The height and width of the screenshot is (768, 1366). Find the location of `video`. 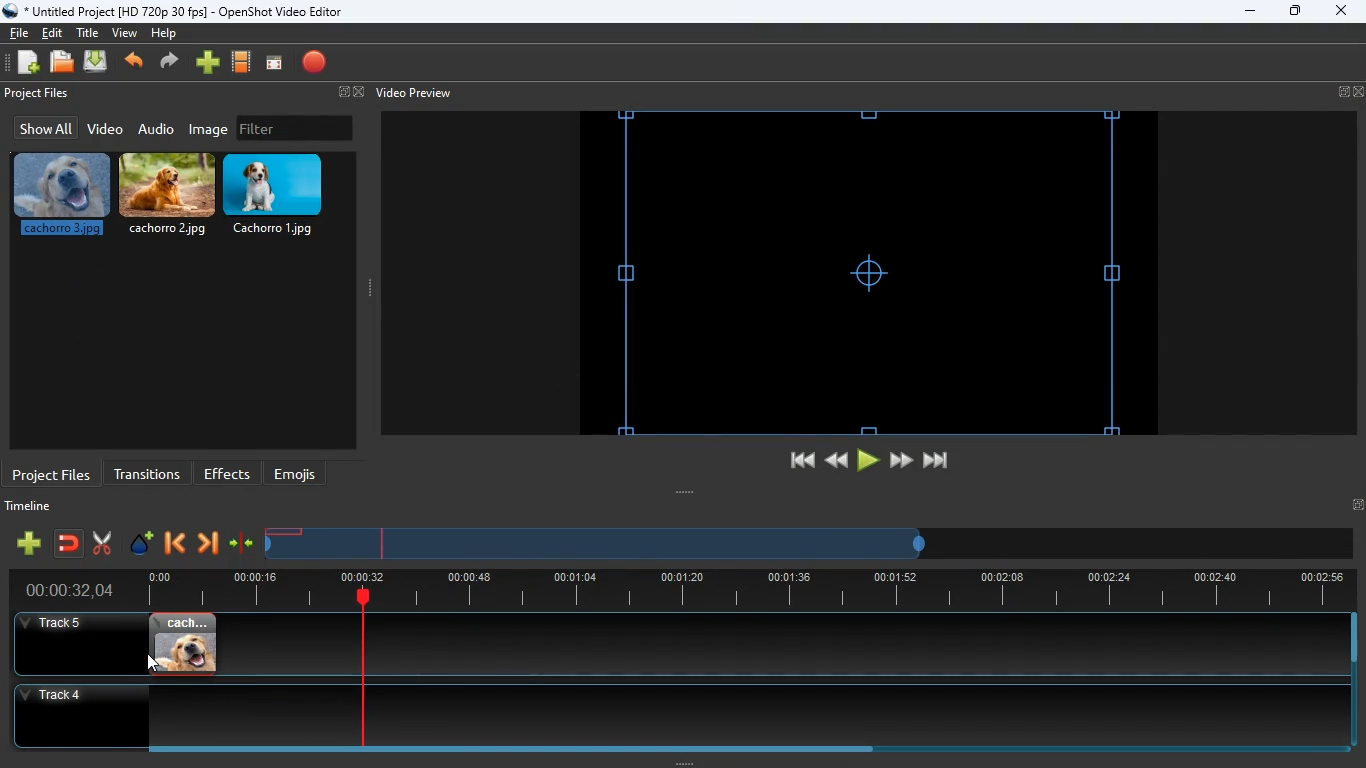

video is located at coordinates (104, 130).